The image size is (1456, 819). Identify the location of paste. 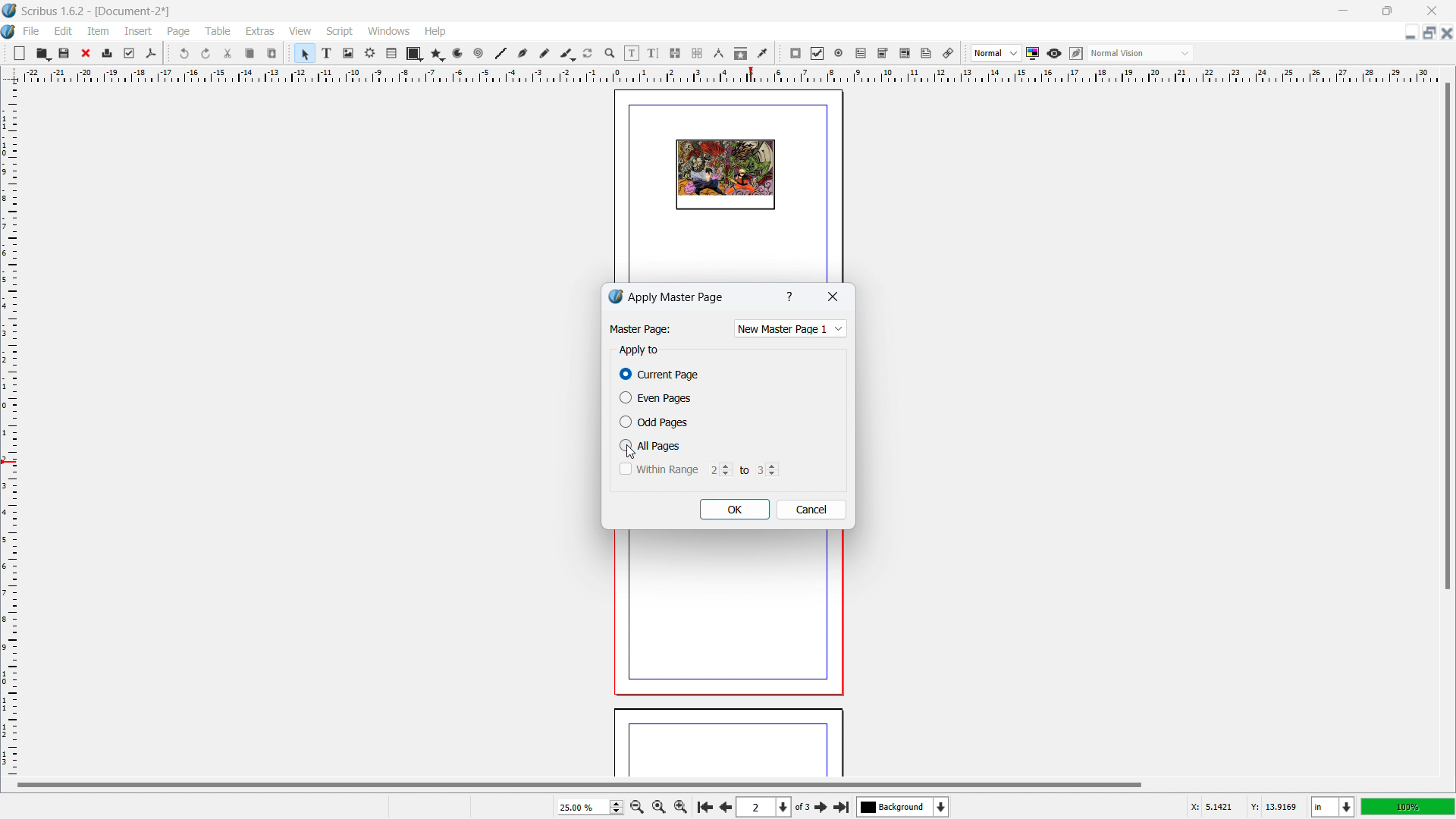
(272, 53).